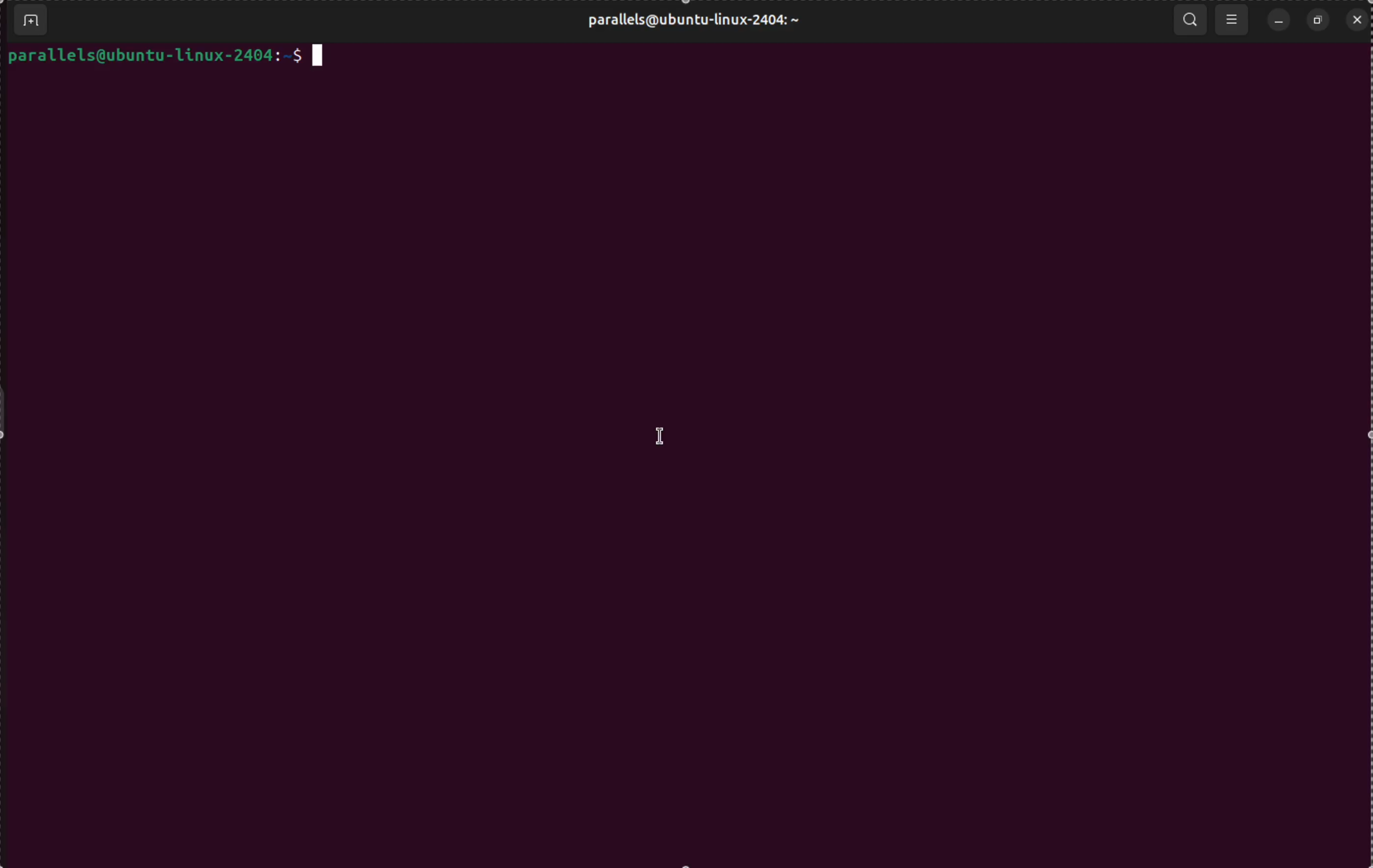 This screenshot has height=868, width=1373. Describe the element at coordinates (661, 437) in the screenshot. I see `cursor` at that location.